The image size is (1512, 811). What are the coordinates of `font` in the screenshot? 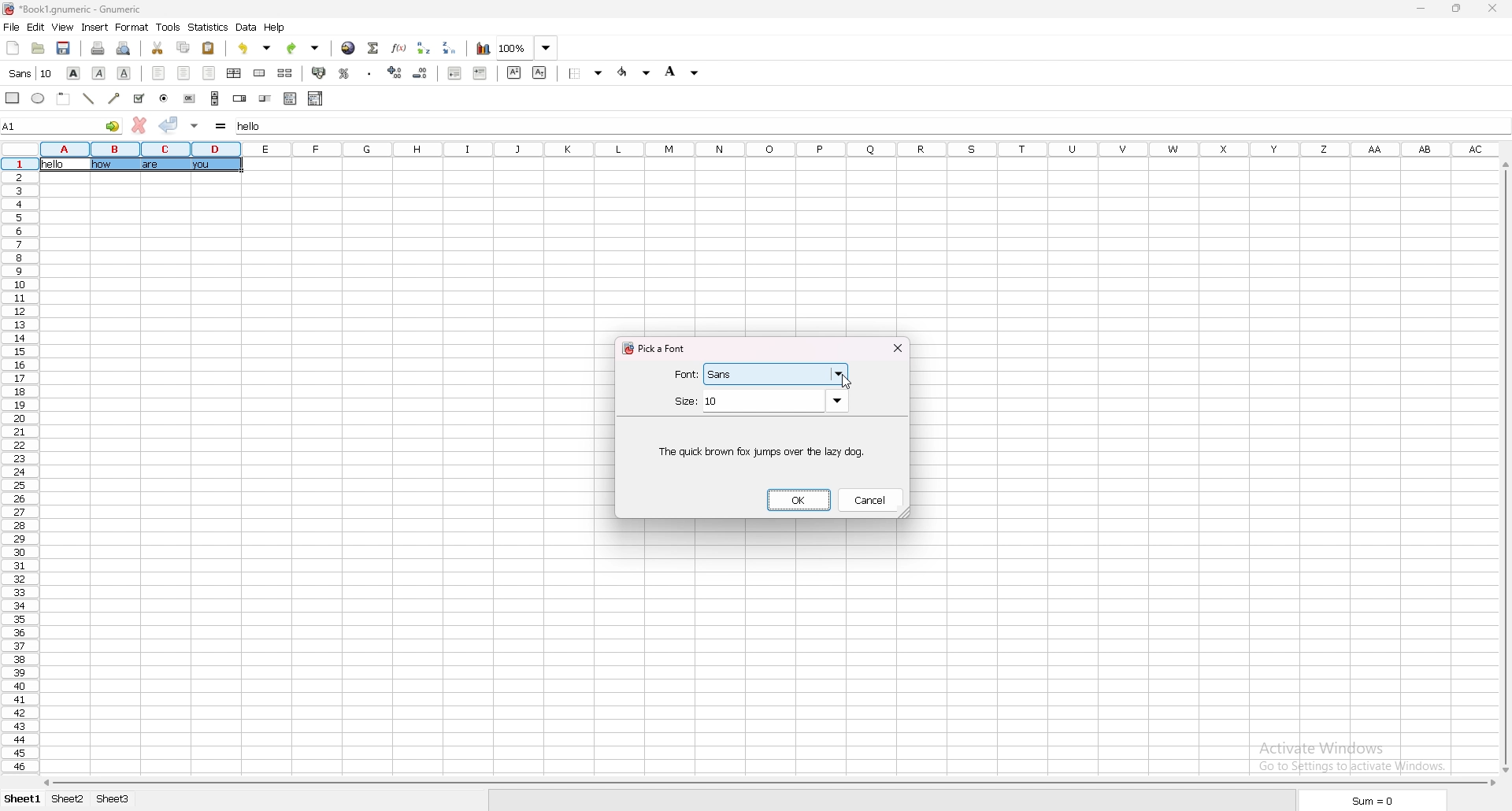 It's located at (29, 73).